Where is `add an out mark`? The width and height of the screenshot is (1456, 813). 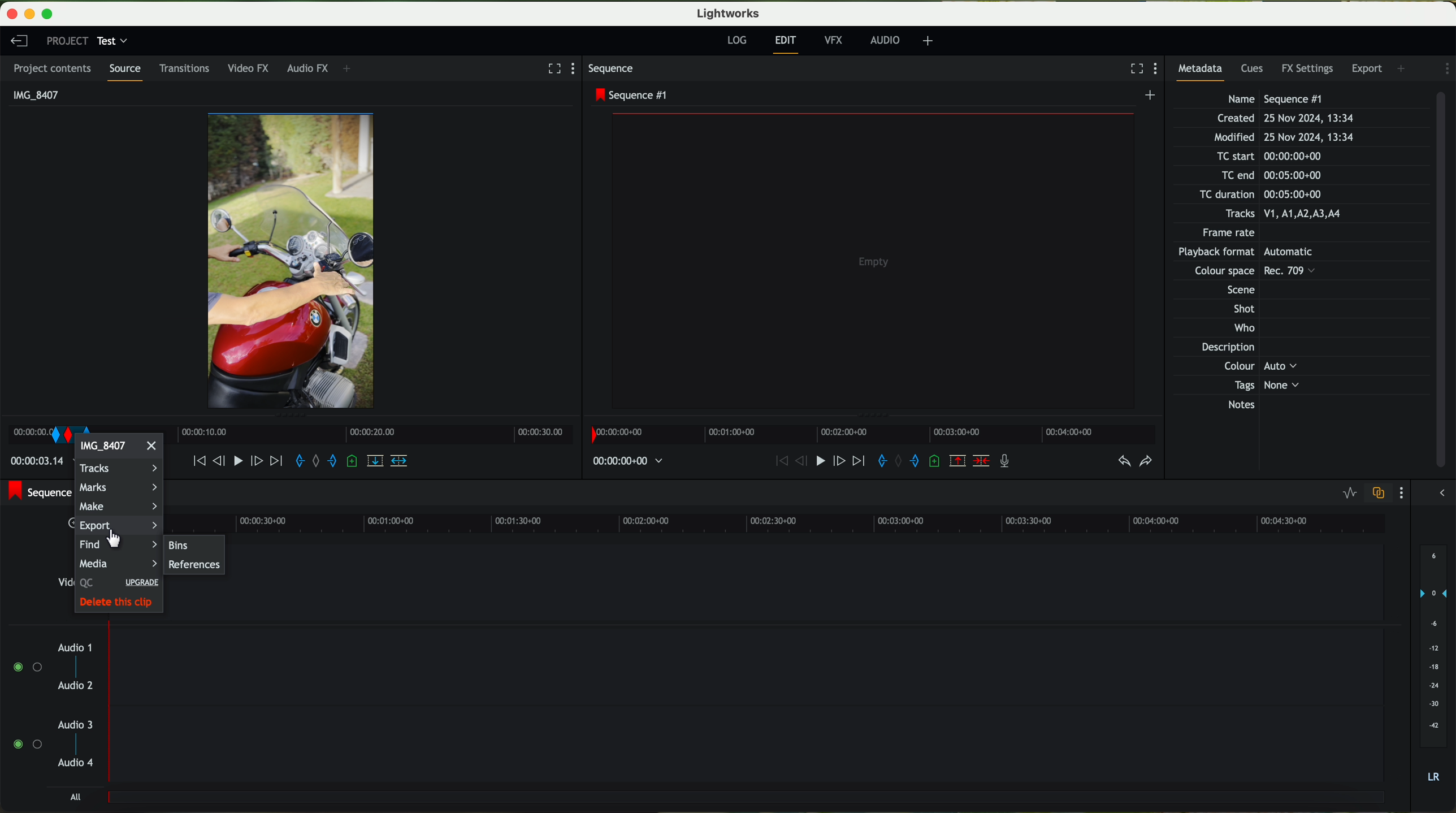
add an out mark is located at coordinates (332, 464).